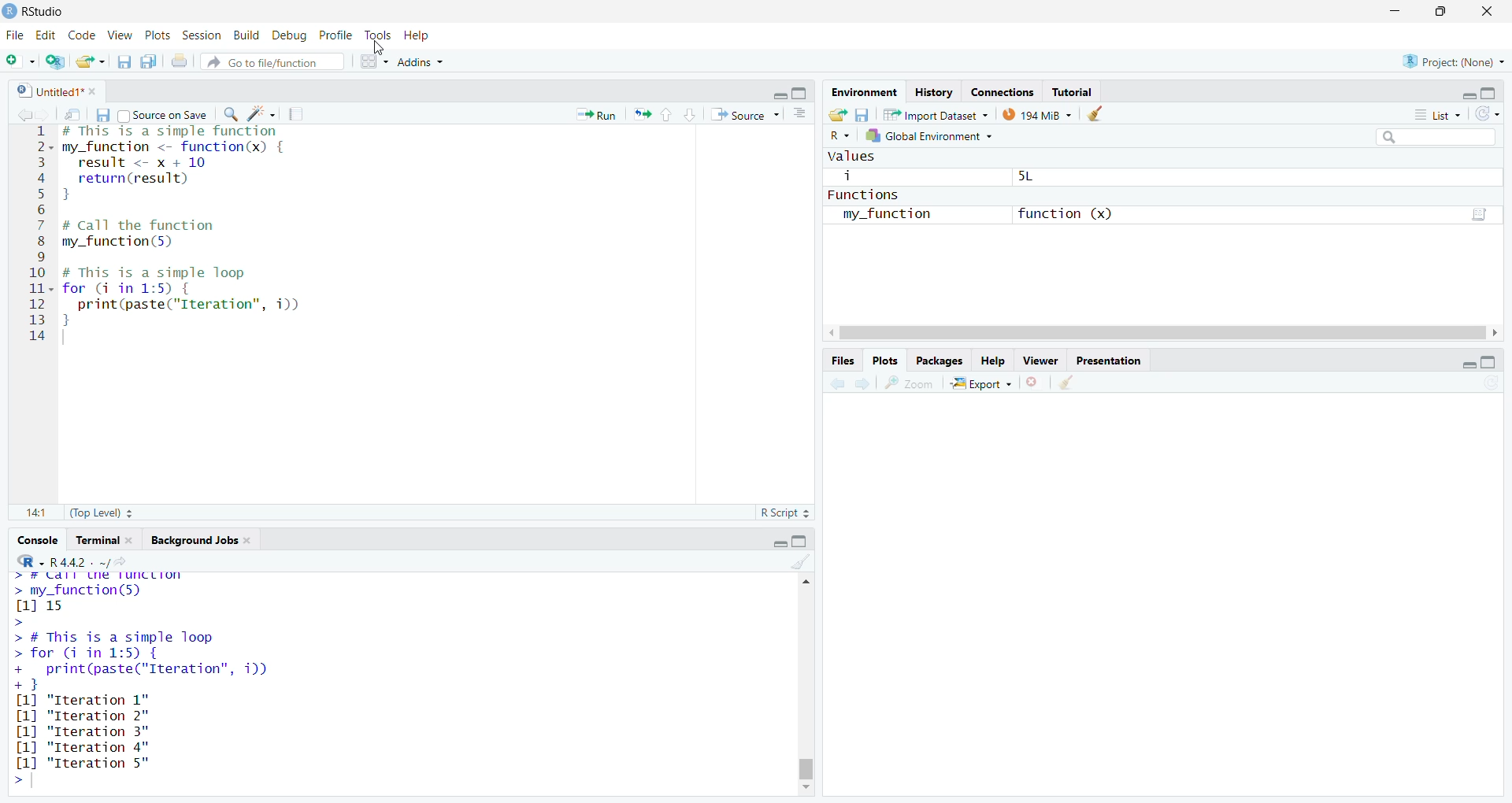 The width and height of the screenshot is (1512, 803). I want to click on go forward to next source location, so click(46, 113).